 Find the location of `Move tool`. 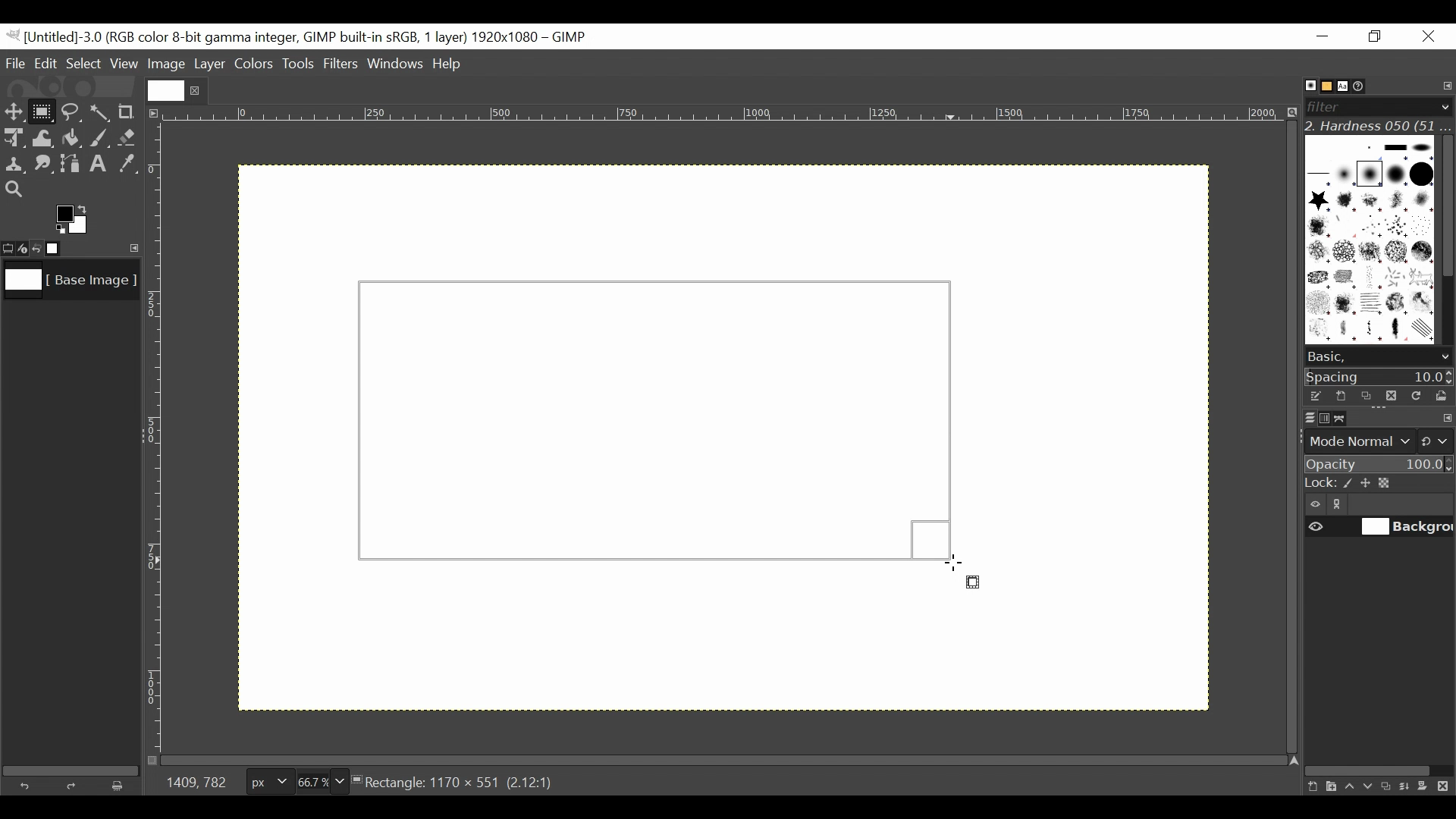

Move tool is located at coordinates (13, 110).